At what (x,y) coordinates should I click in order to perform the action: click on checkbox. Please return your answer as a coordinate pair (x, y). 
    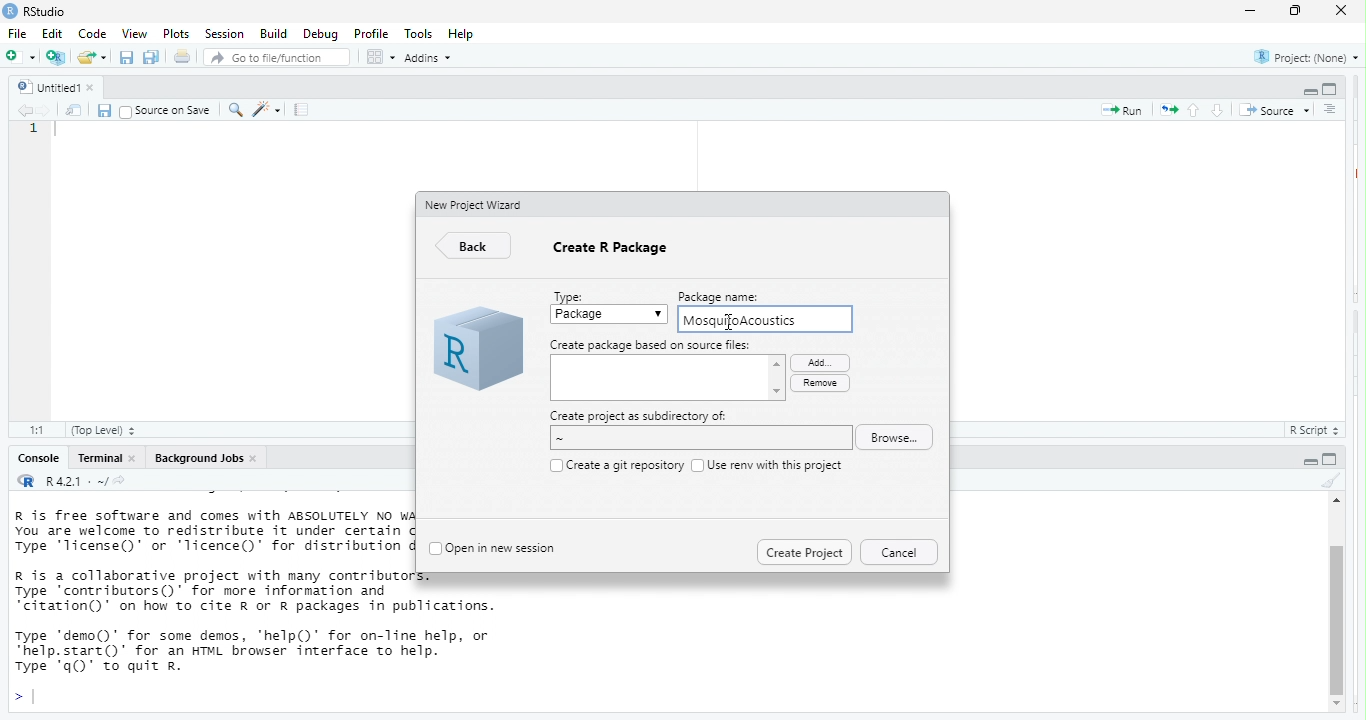
    Looking at the image, I should click on (434, 549).